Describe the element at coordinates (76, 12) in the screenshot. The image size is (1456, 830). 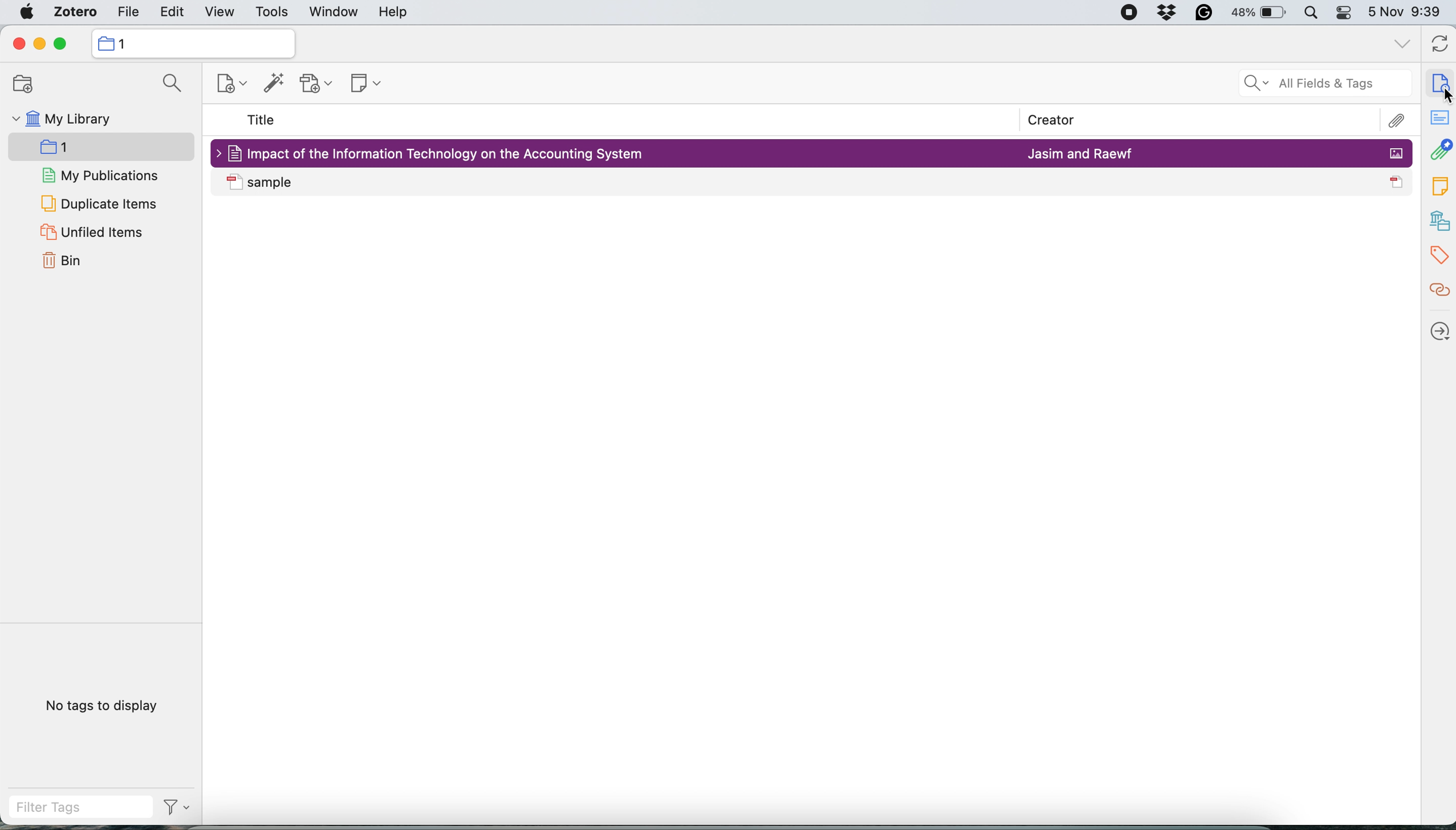
I see `zotero` at that location.